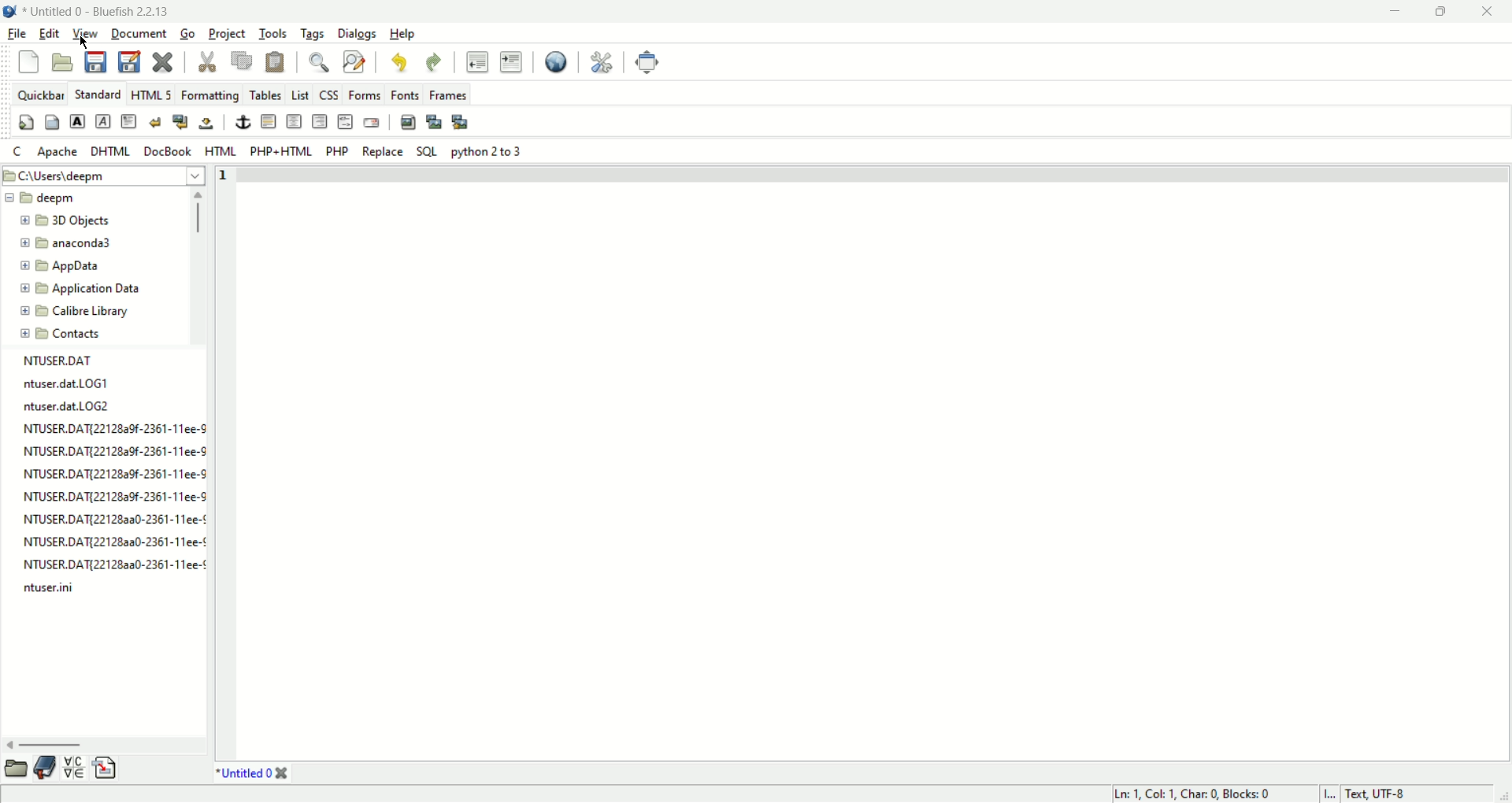 This screenshot has width=1512, height=803. Describe the element at coordinates (243, 61) in the screenshot. I see `copy` at that location.